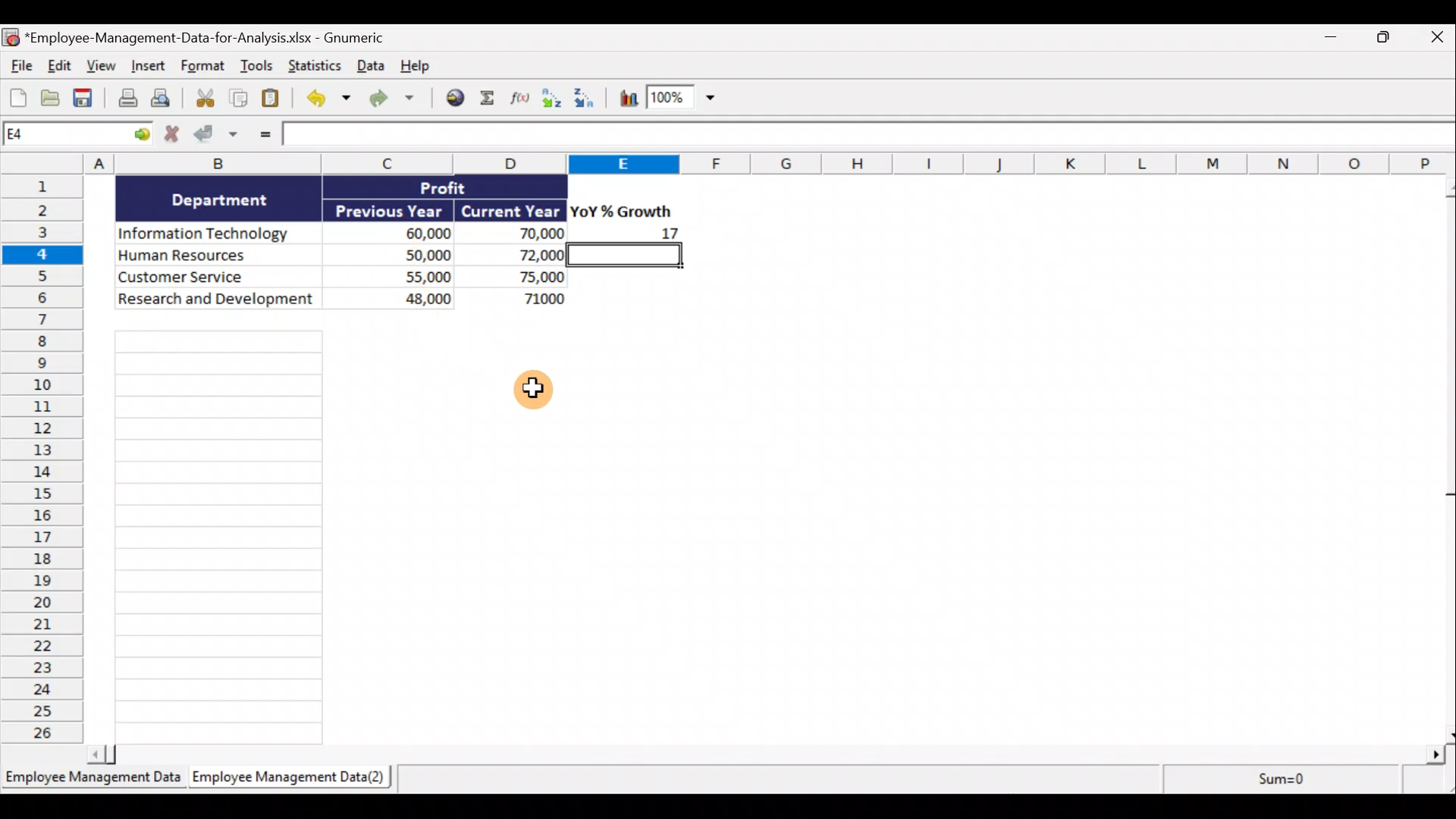 The image size is (1456, 819). What do you see at coordinates (766, 757) in the screenshot?
I see `Scroll bar` at bounding box center [766, 757].